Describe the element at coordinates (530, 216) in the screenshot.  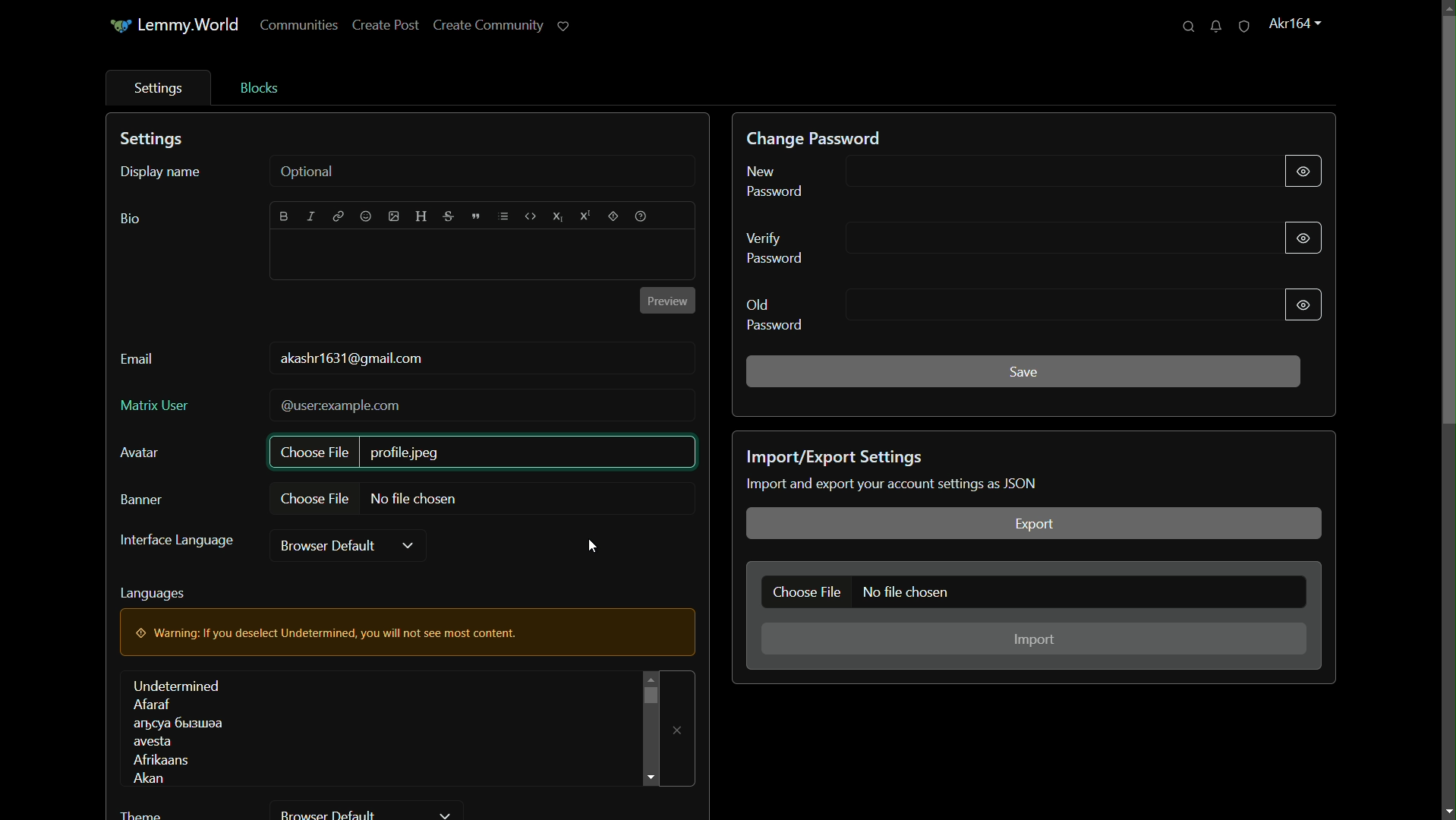
I see `code` at that location.